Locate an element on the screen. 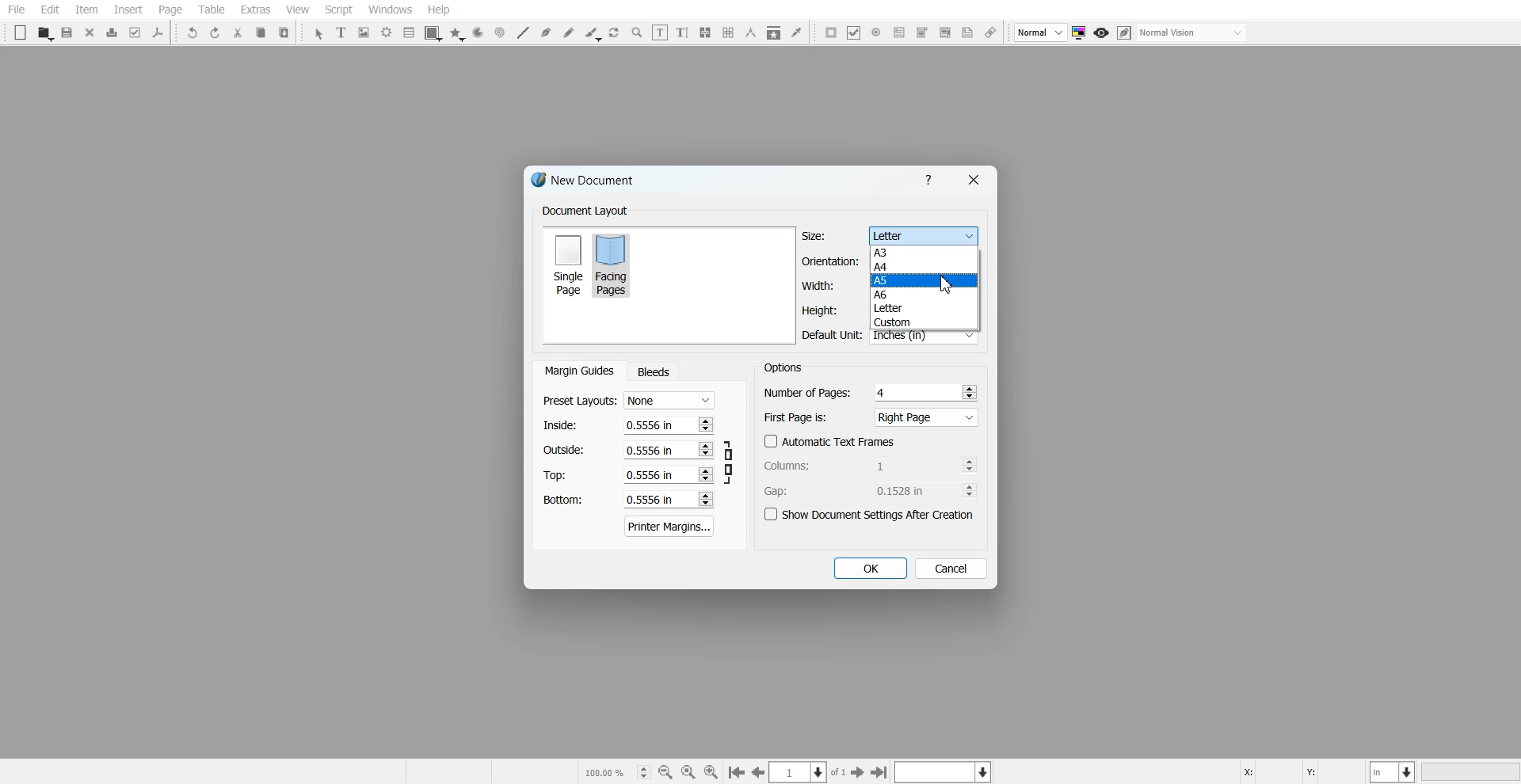 This screenshot has width=1521, height=784. Automatic Text Frames is located at coordinates (830, 441).